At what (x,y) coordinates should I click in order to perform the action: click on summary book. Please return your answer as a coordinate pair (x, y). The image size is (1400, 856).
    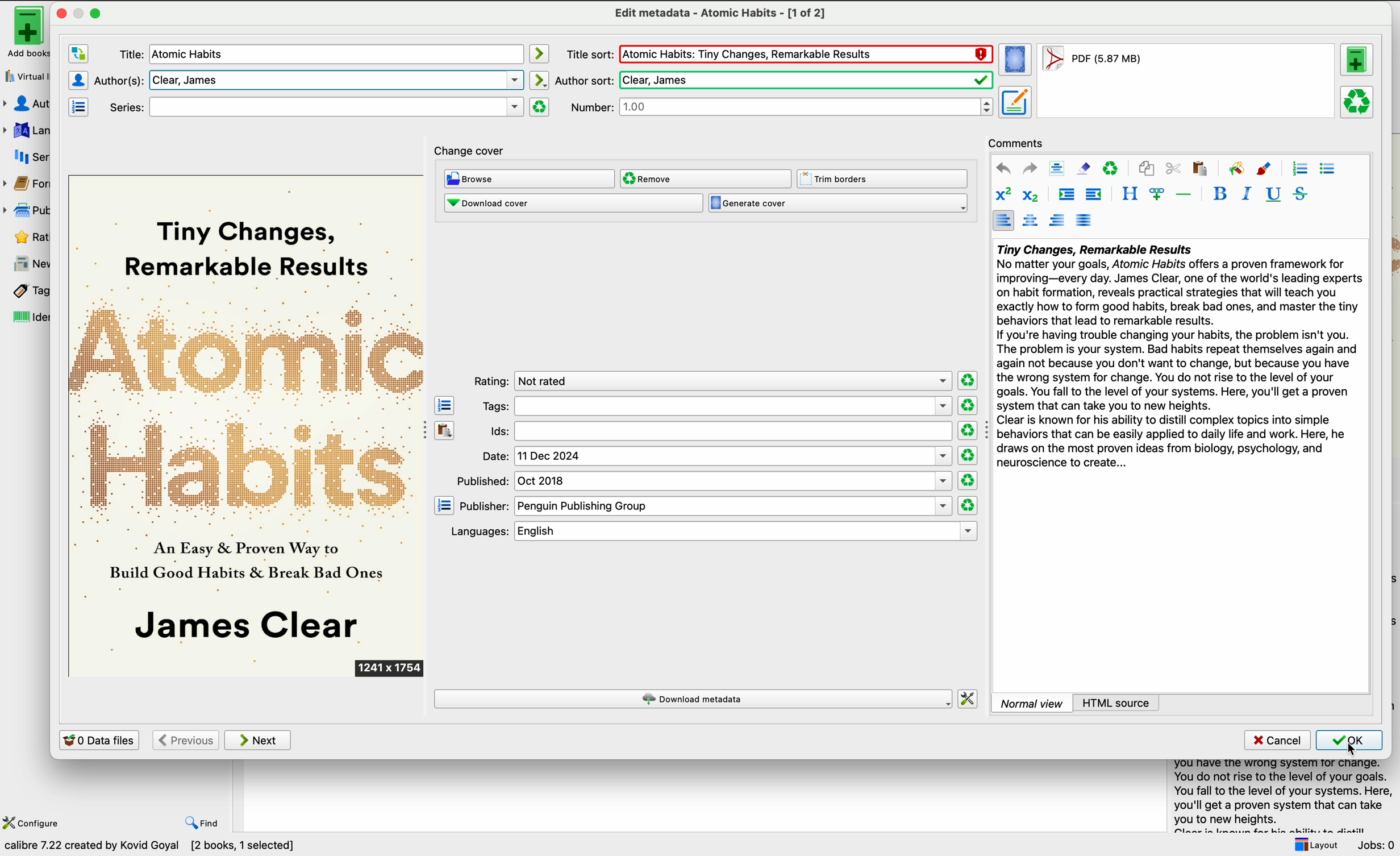
    Looking at the image, I should click on (1278, 794).